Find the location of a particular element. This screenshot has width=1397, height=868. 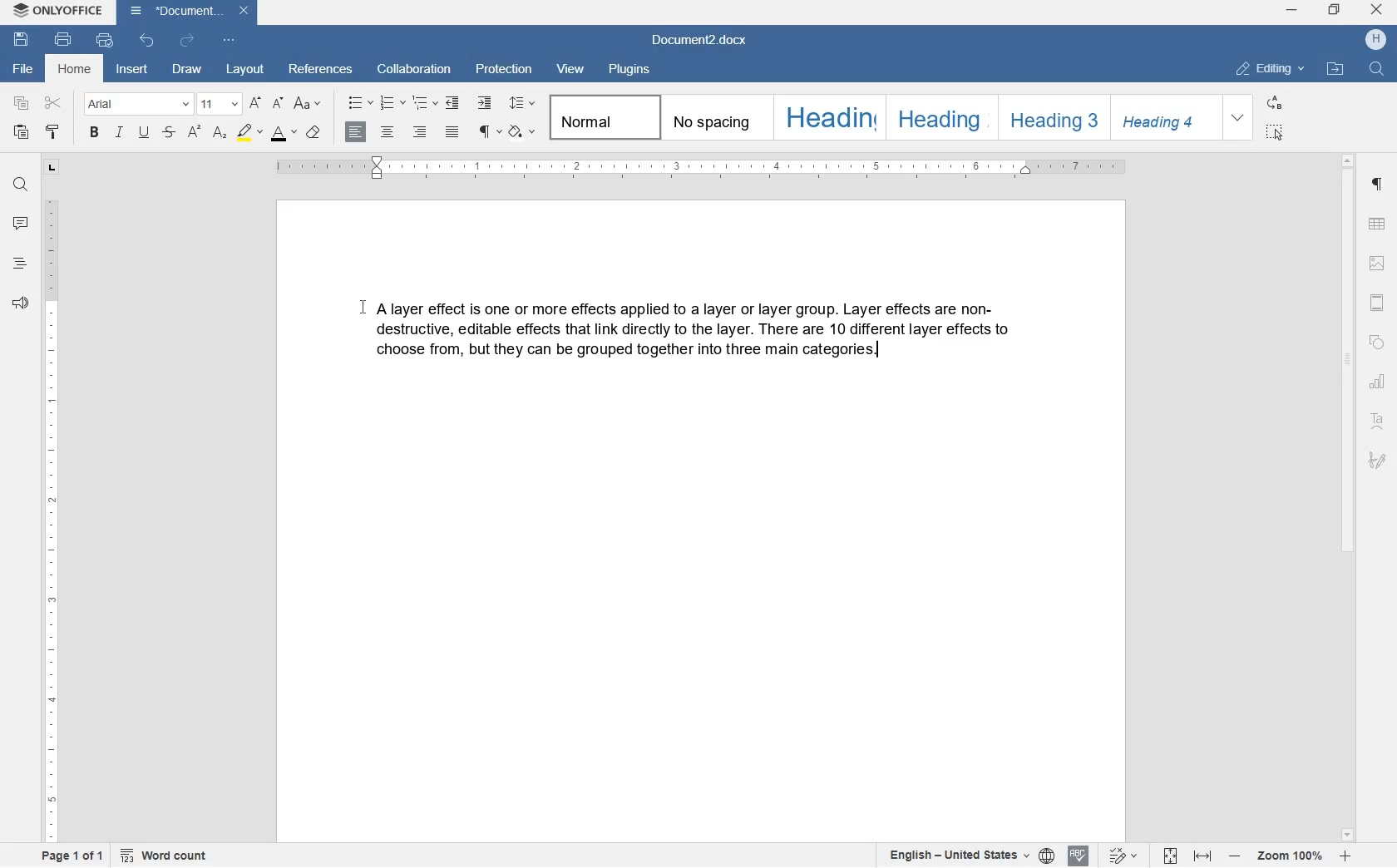

heading 2 is located at coordinates (940, 117).